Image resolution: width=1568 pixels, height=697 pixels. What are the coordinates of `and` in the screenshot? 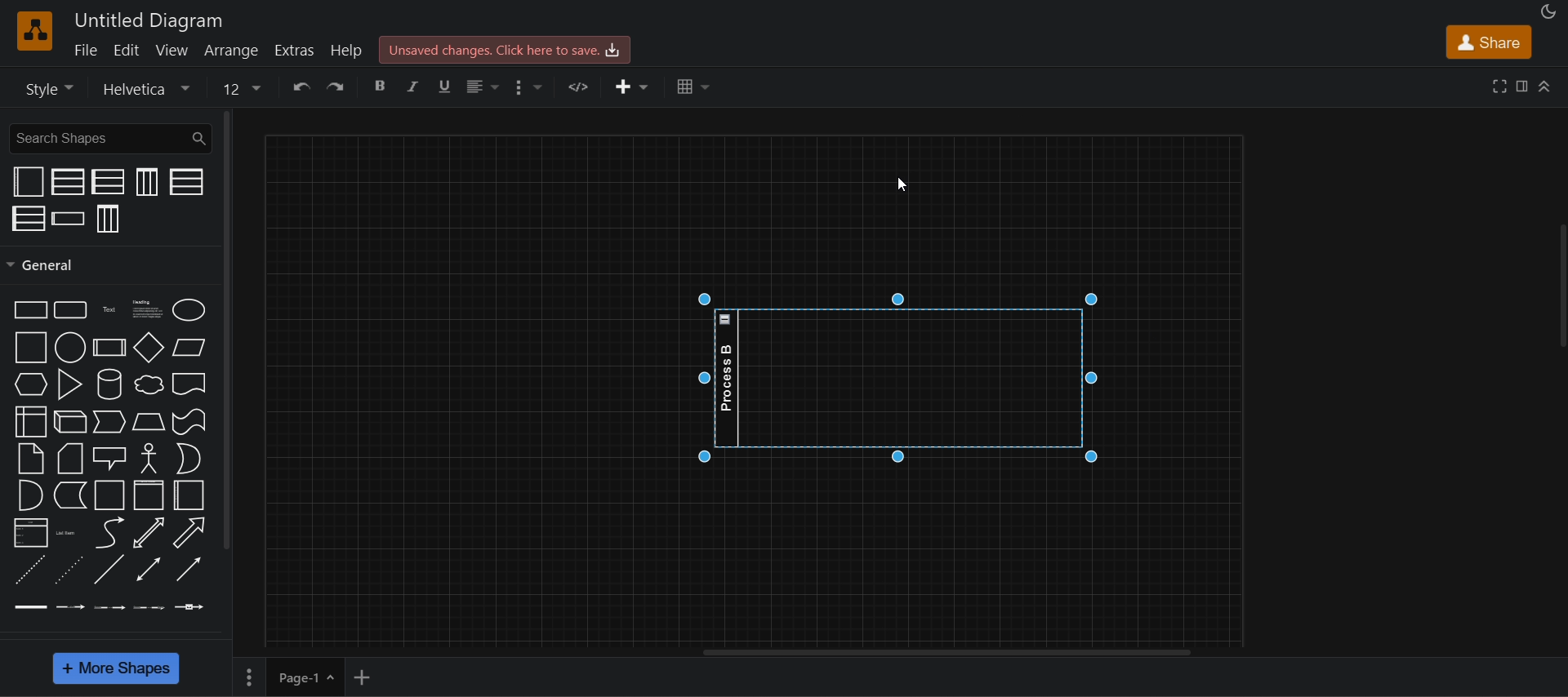 It's located at (29, 495).